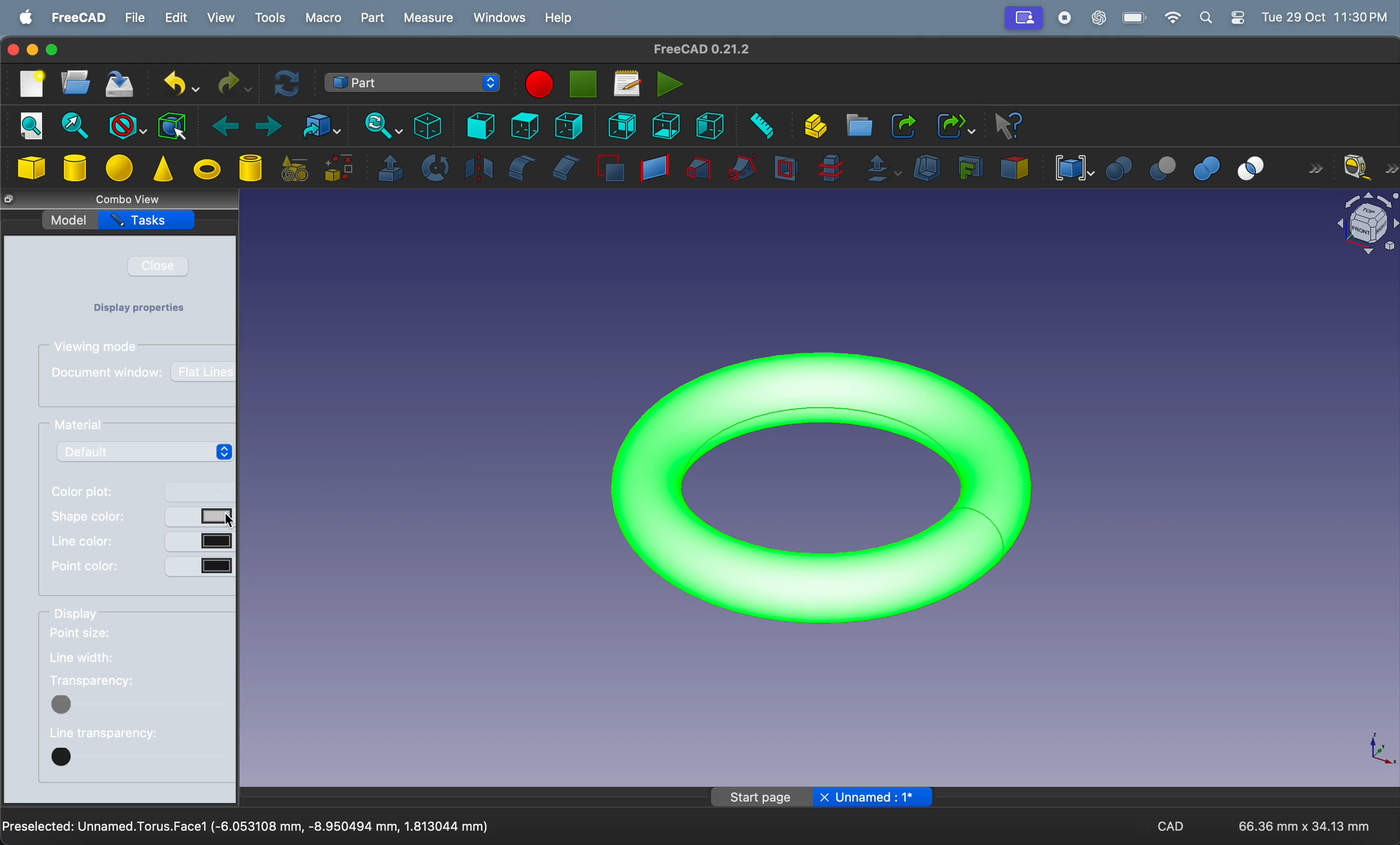 This screenshot has width=1400, height=845. I want to click on view, so click(220, 18).